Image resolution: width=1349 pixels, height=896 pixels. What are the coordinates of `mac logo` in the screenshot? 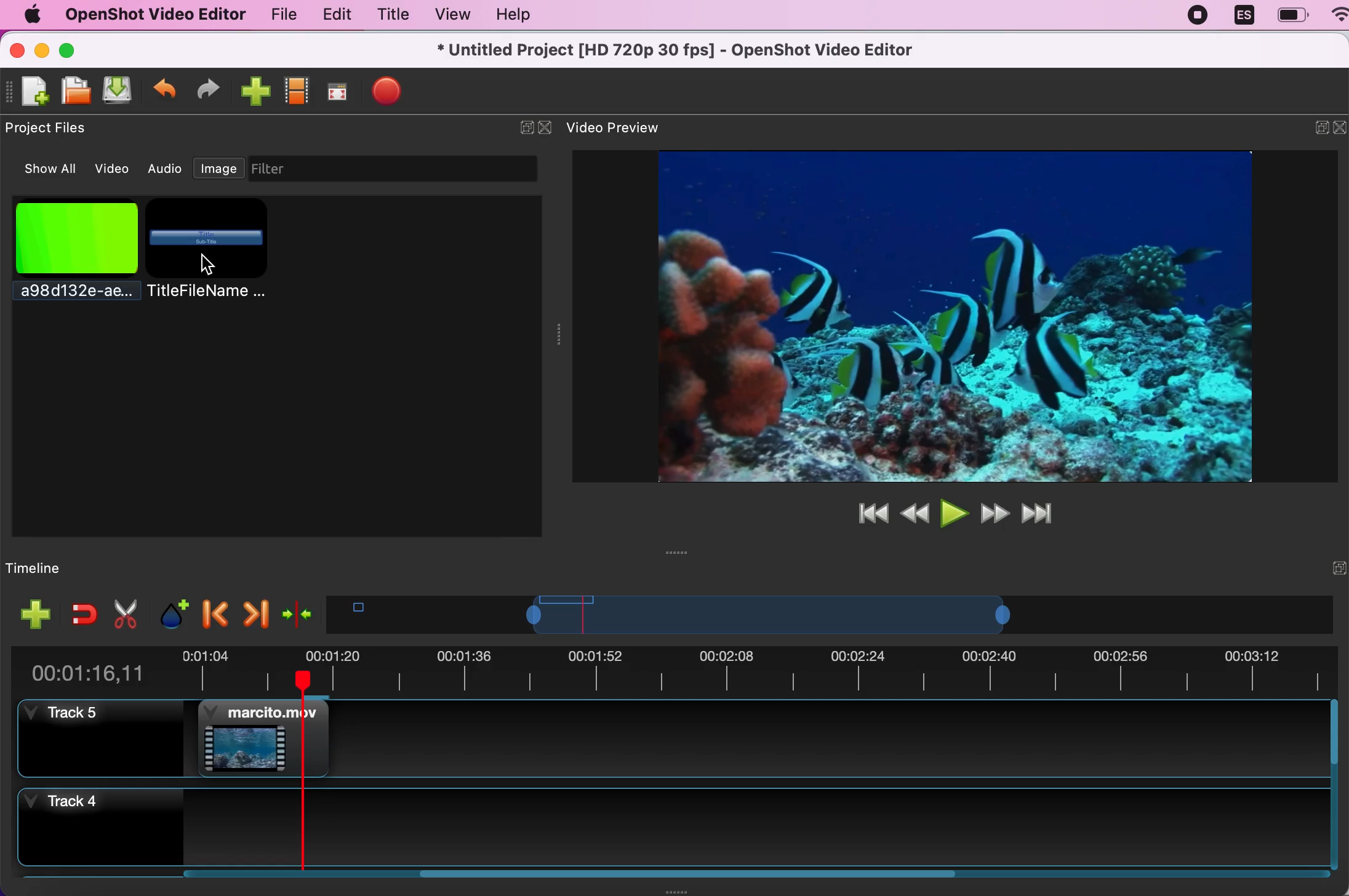 It's located at (31, 14).